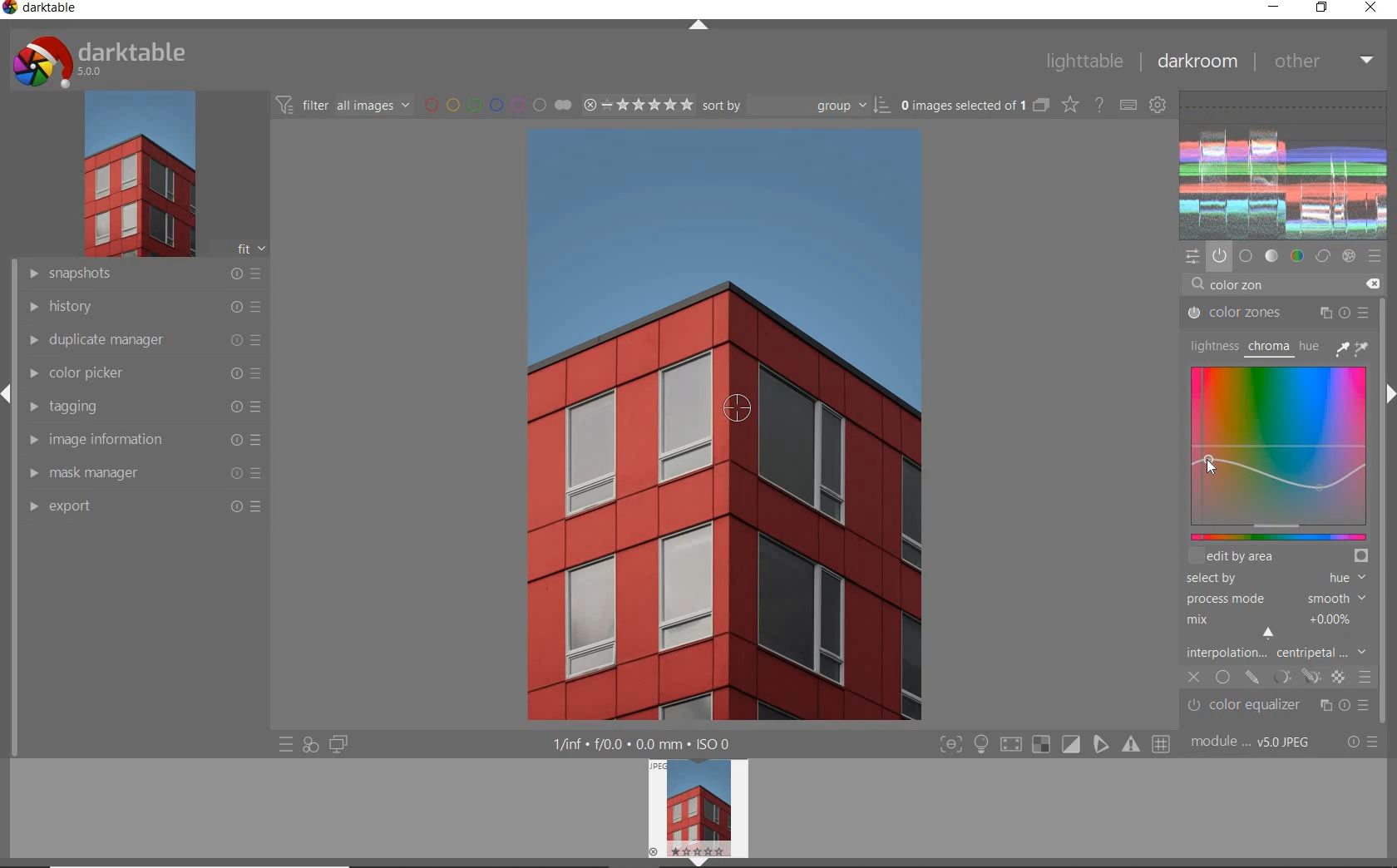 The image size is (1397, 868). I want to click on display information, so click(643, 744).